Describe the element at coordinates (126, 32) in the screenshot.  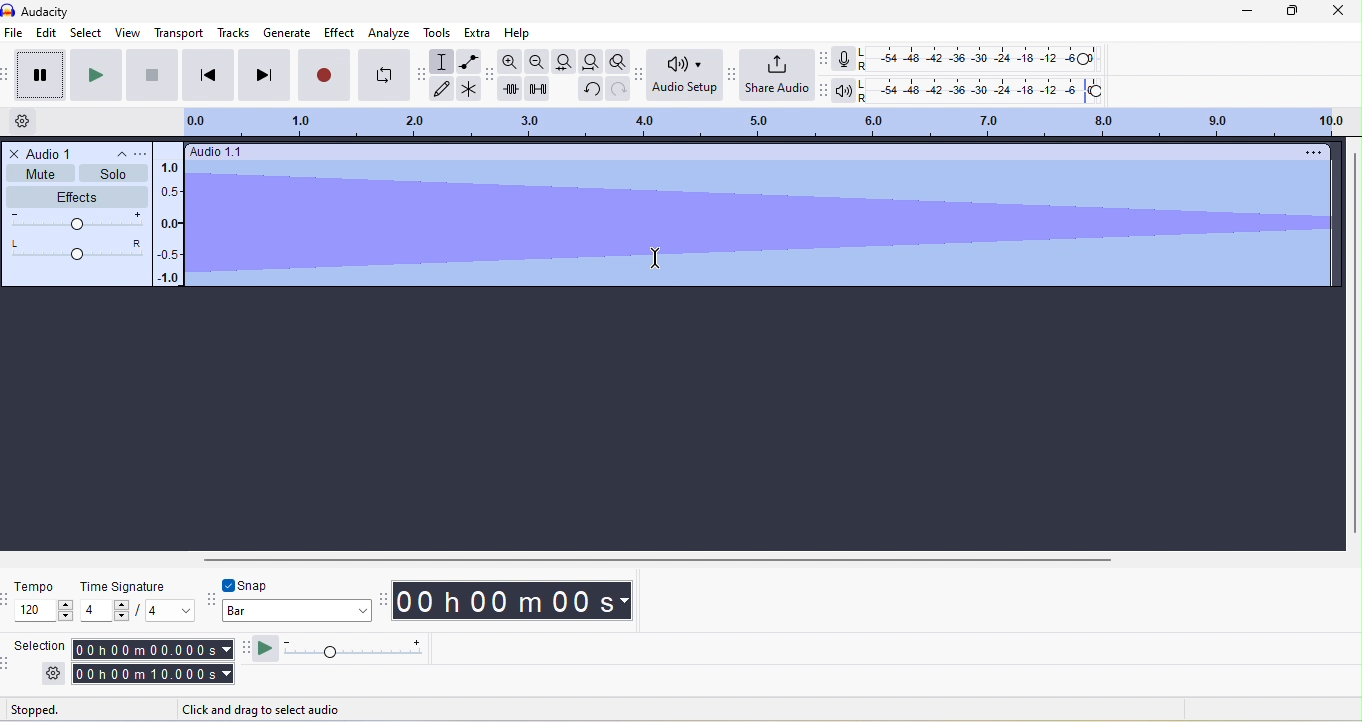
I see `view` at that location.